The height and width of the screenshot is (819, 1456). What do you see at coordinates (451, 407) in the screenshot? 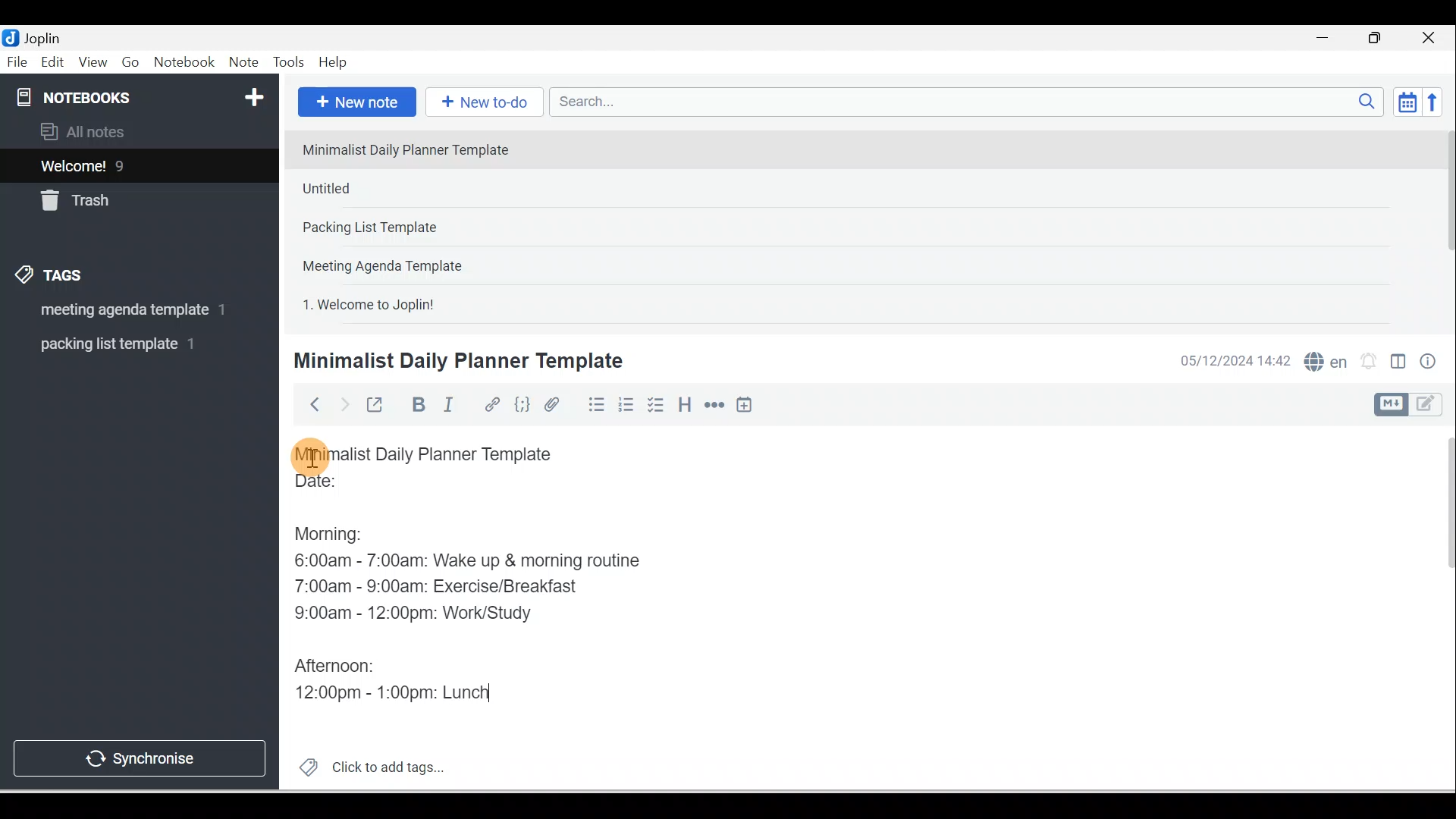
I see `Italic` at bounding box center [451, 407].